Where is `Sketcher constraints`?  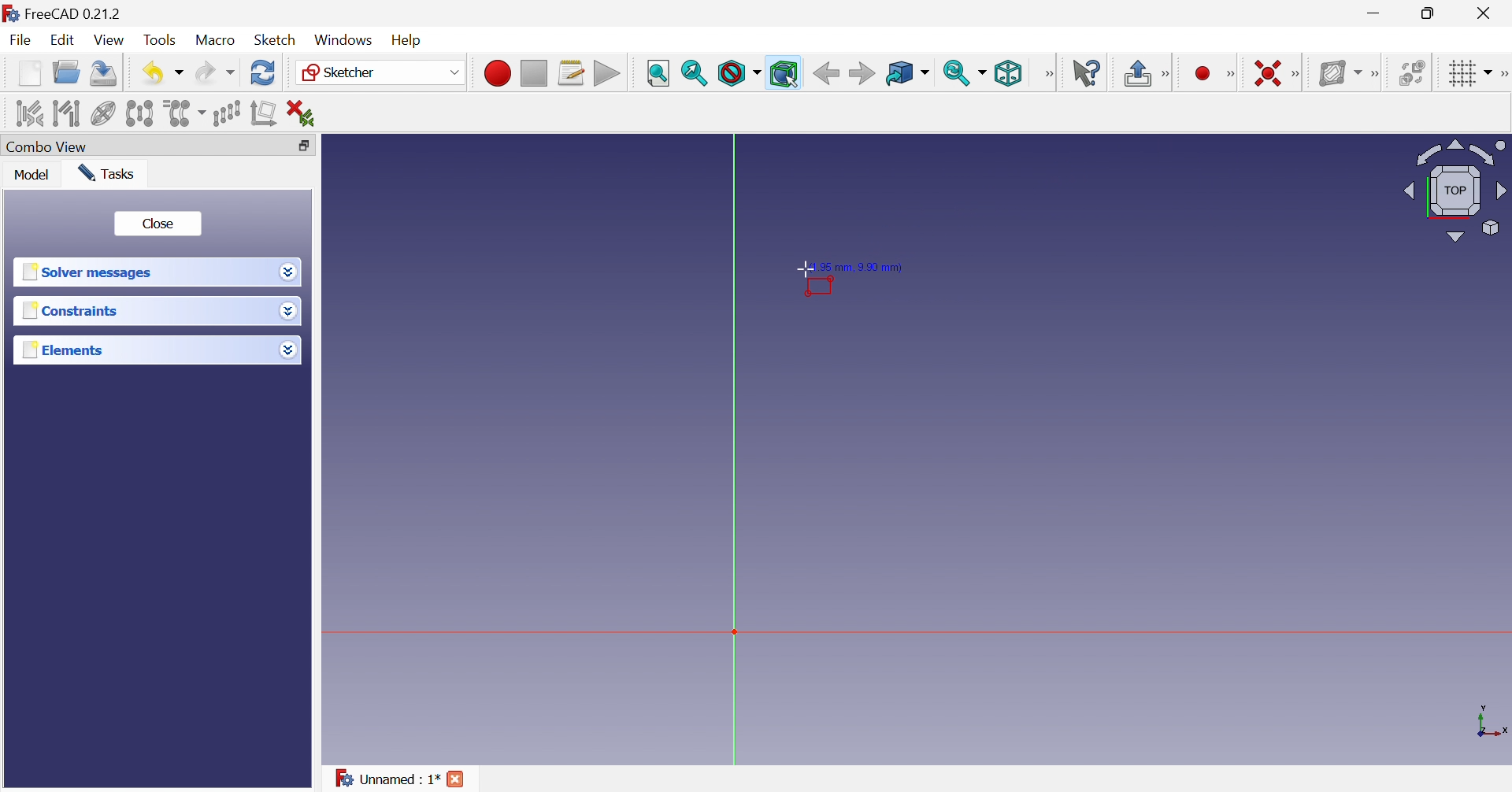
Sketcher constraints is located at coordinates (1296, 72).